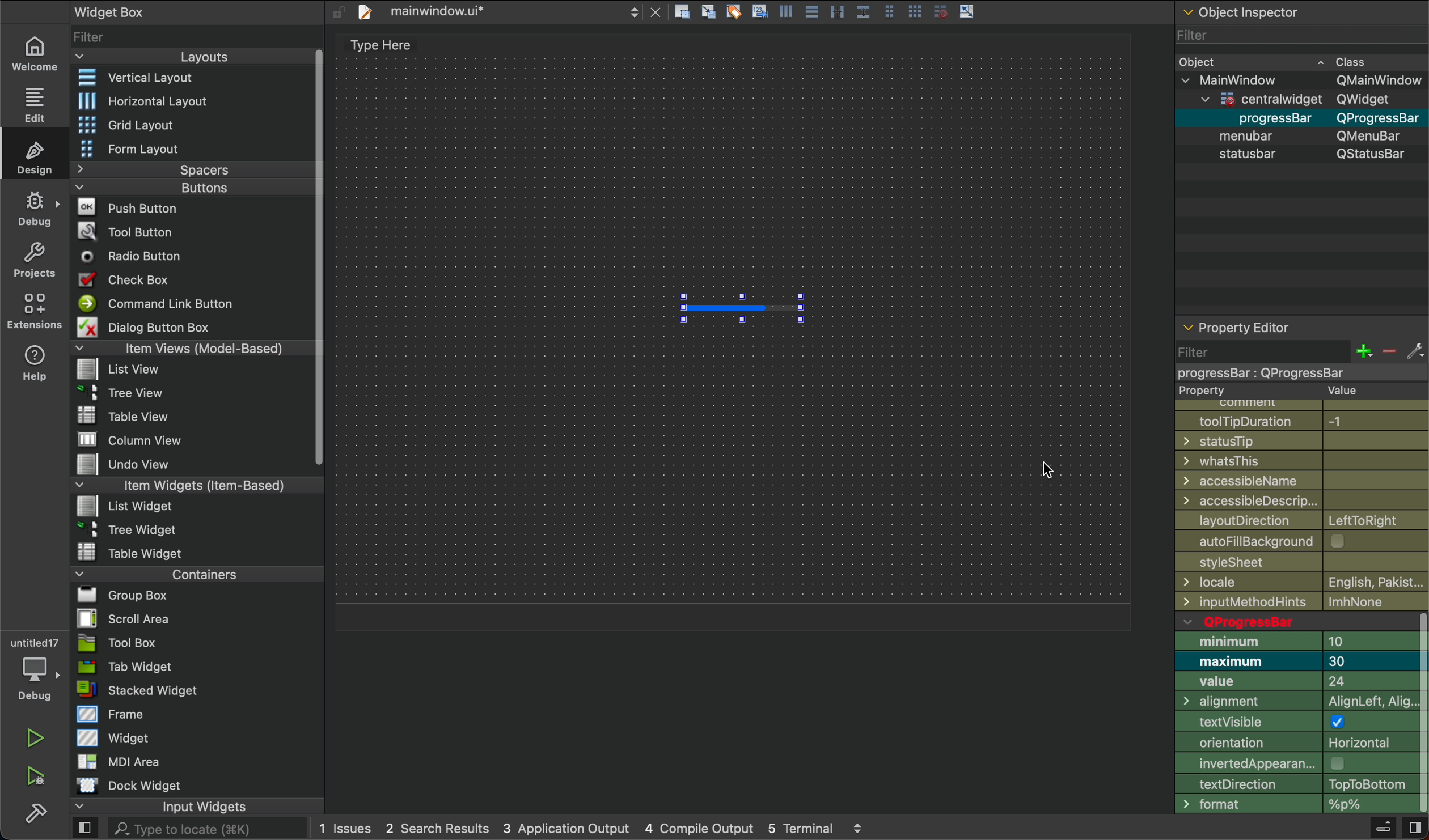  What do you see at coordinates (591, 830) in the screenshot?
I see `logs` at bounding box center [591, 830].